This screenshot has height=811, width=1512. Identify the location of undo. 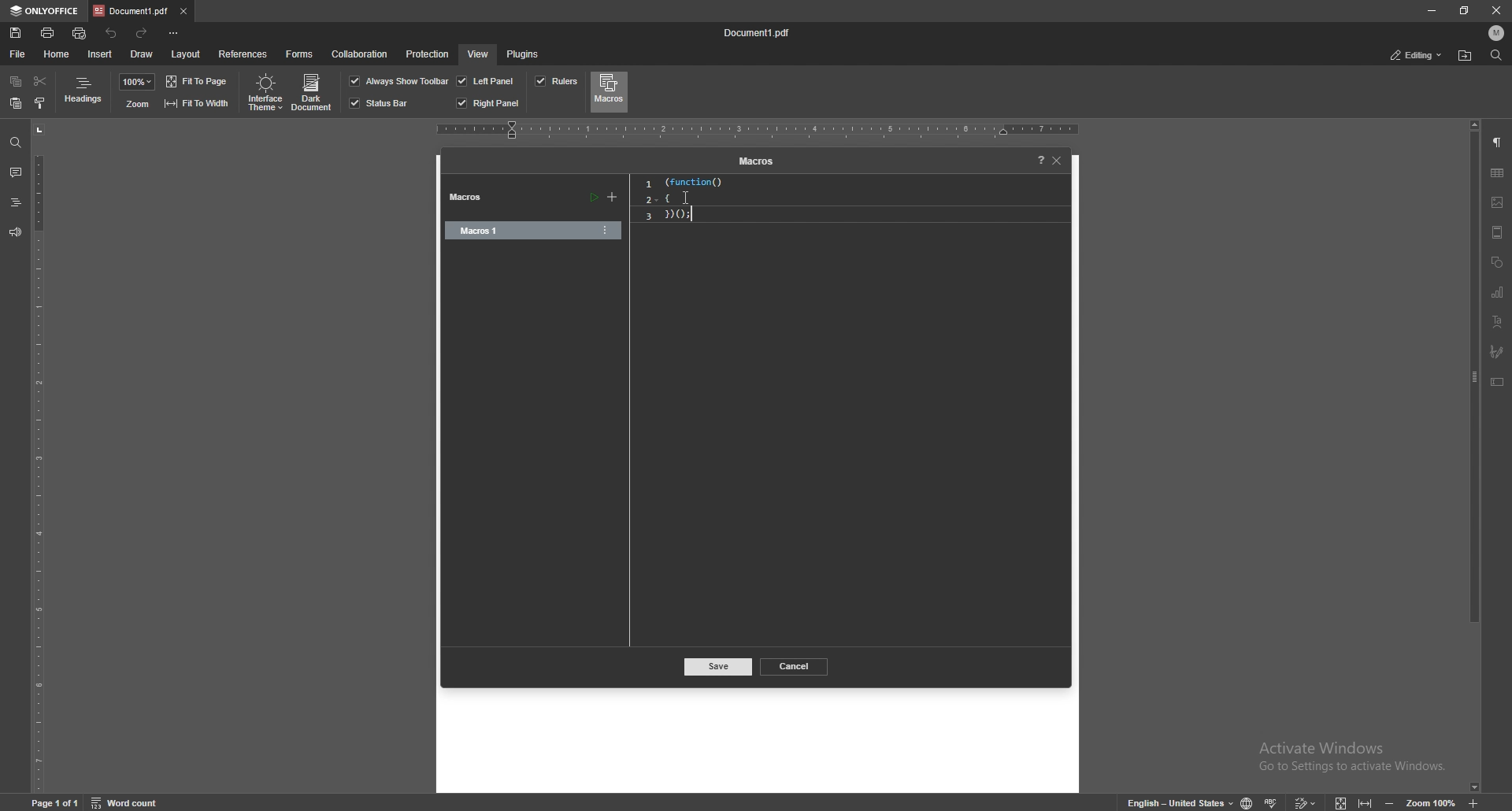
(112, 33).